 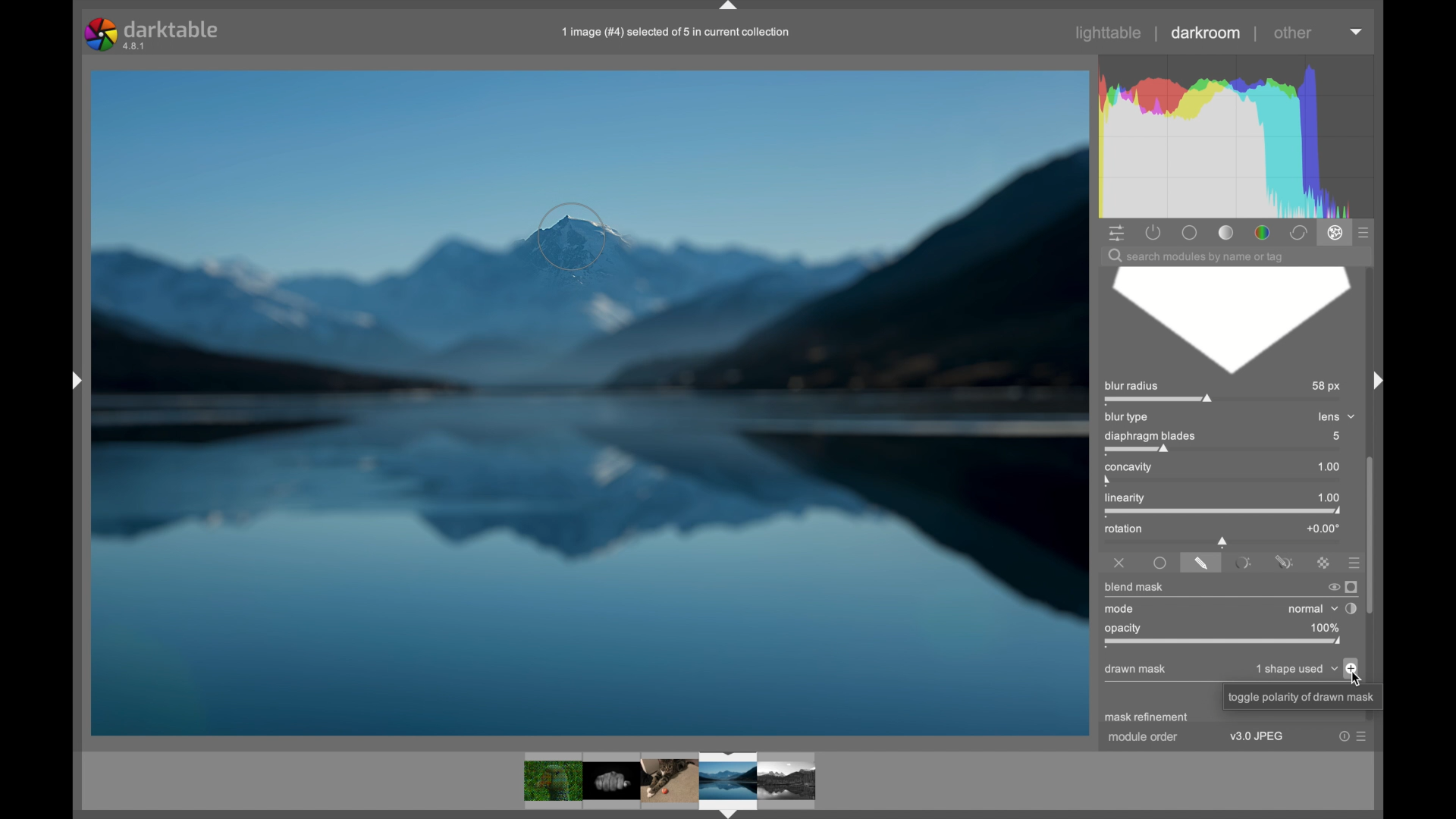 I want to click on more options, so click(x=1360, y=738).